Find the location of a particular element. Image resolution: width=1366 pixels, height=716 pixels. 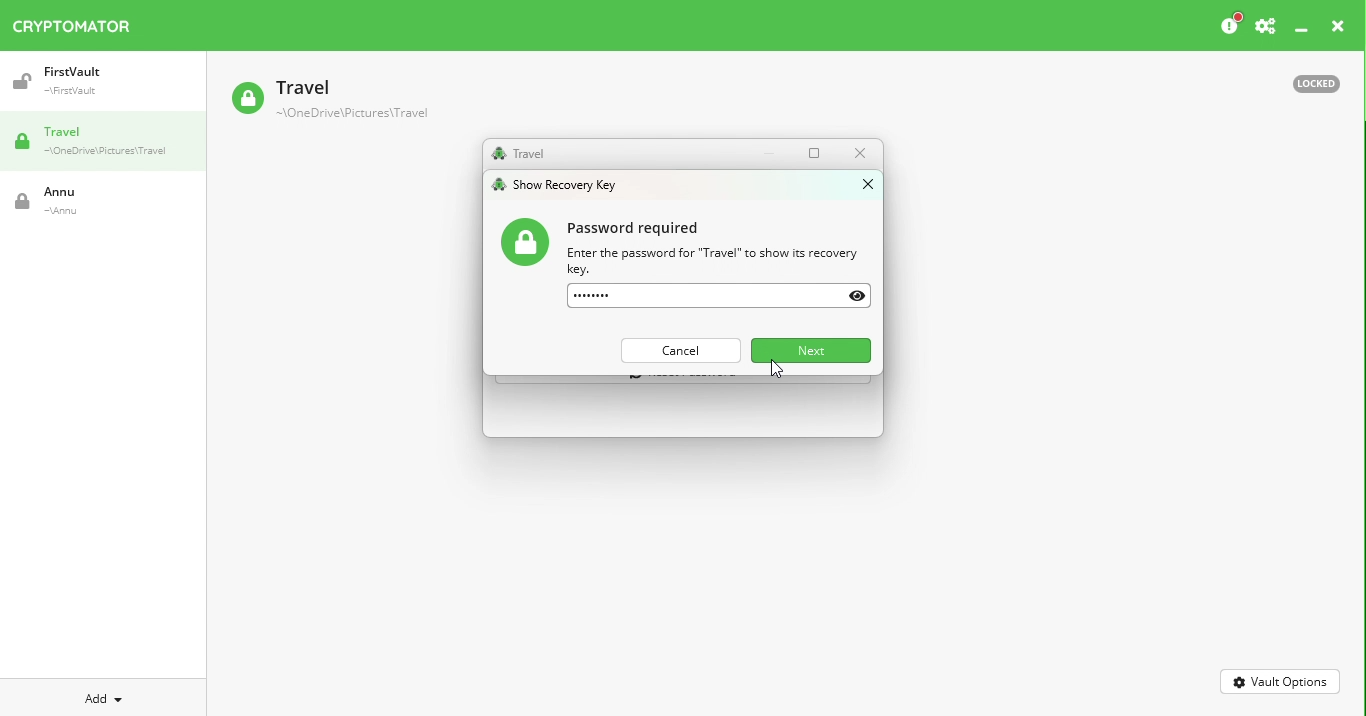

Add new vault is located at coordinates (104, 696).